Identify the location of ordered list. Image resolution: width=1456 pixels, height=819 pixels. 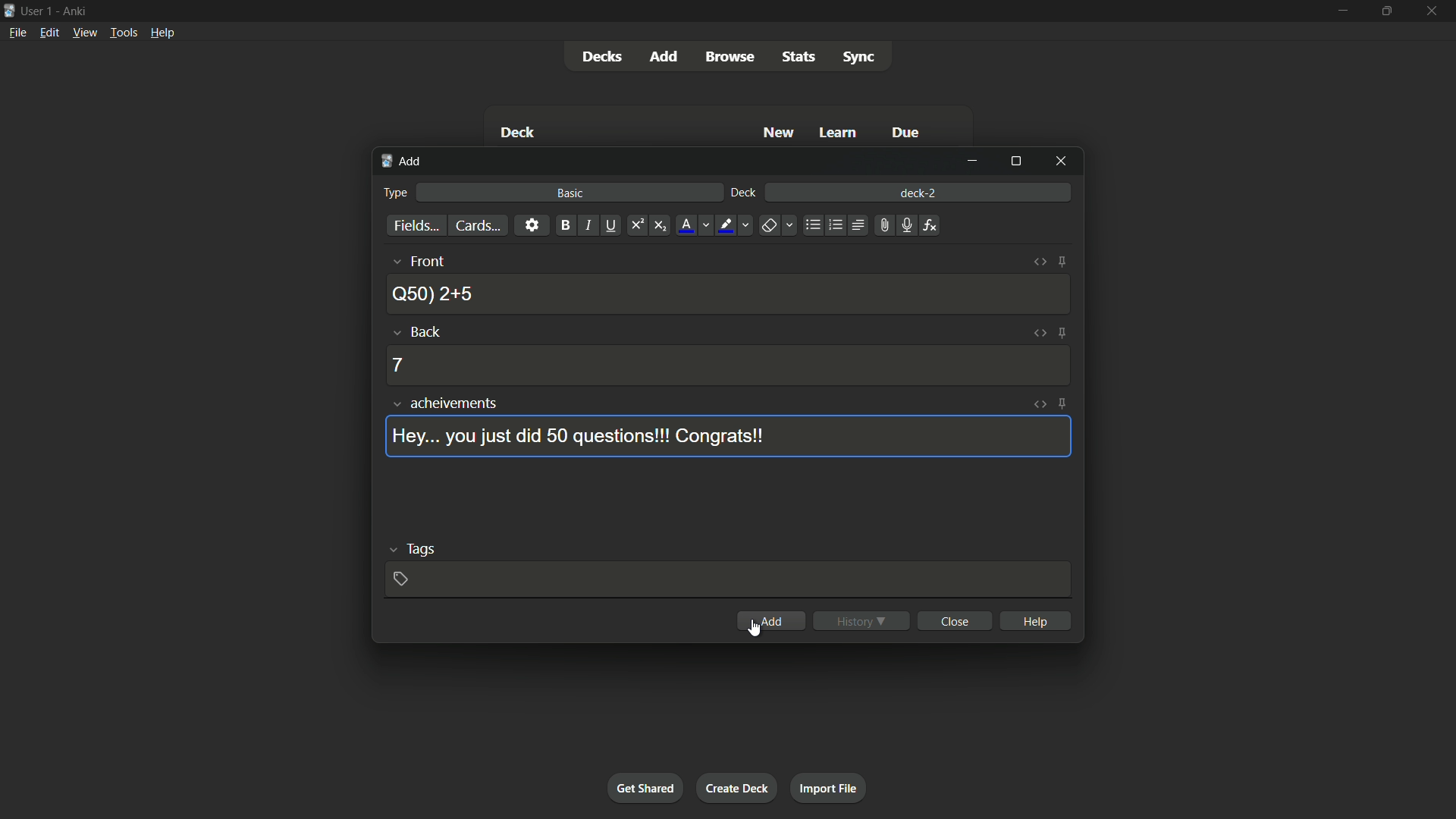
(836, 226).